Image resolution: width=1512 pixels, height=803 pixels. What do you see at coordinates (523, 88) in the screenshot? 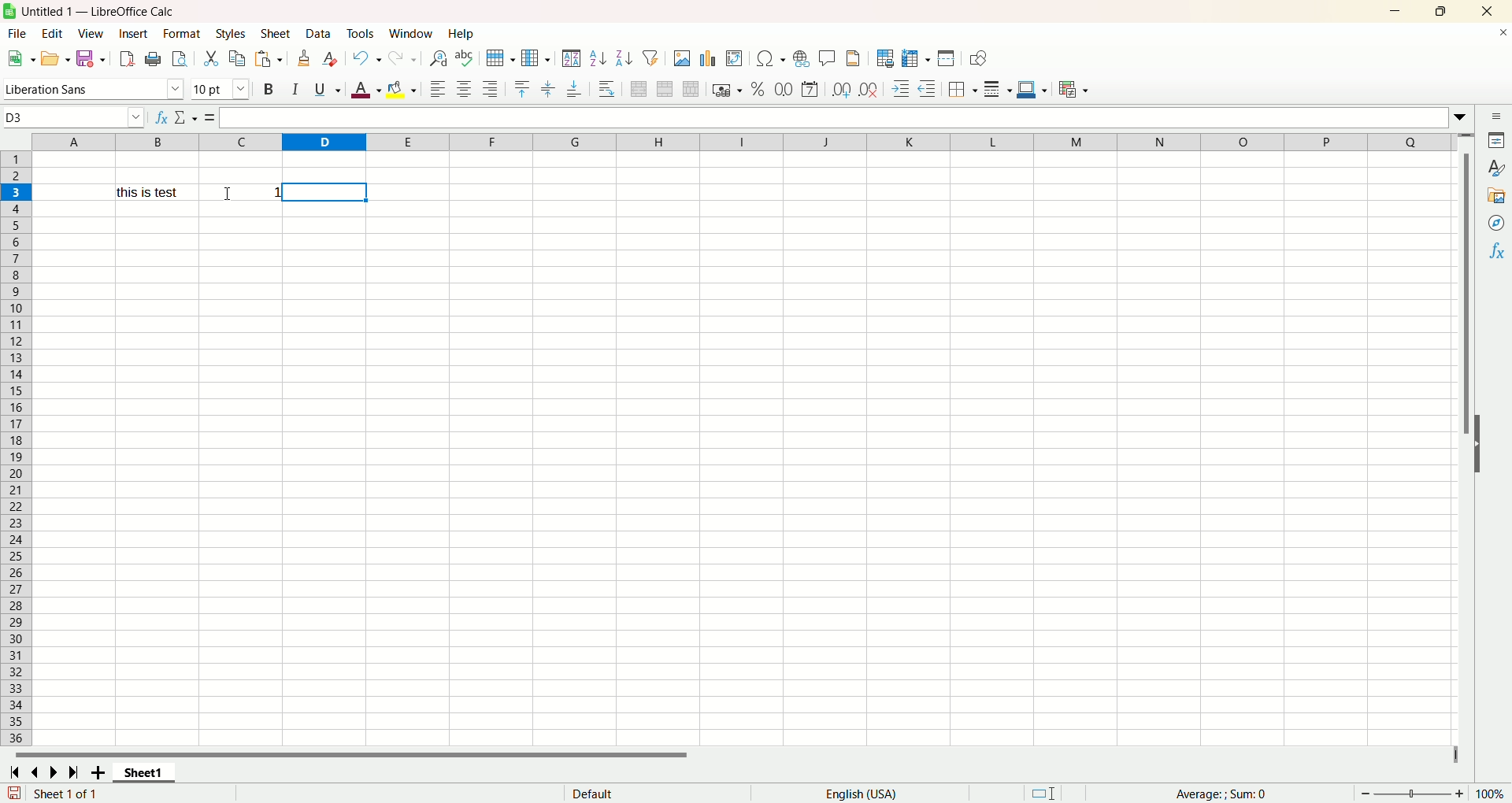
I see `align top` at bounding box center [523, 88].